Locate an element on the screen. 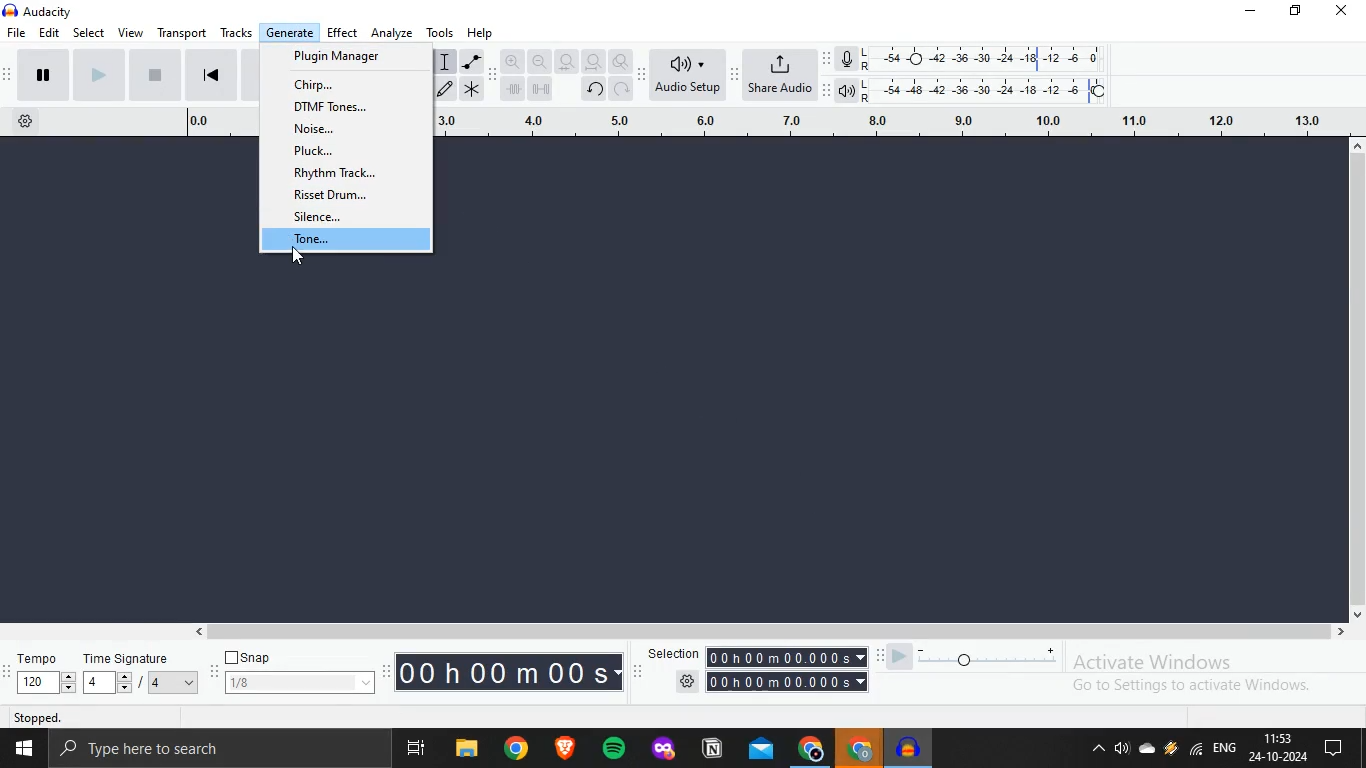  Date and time is located at coordinates (1280, 749).